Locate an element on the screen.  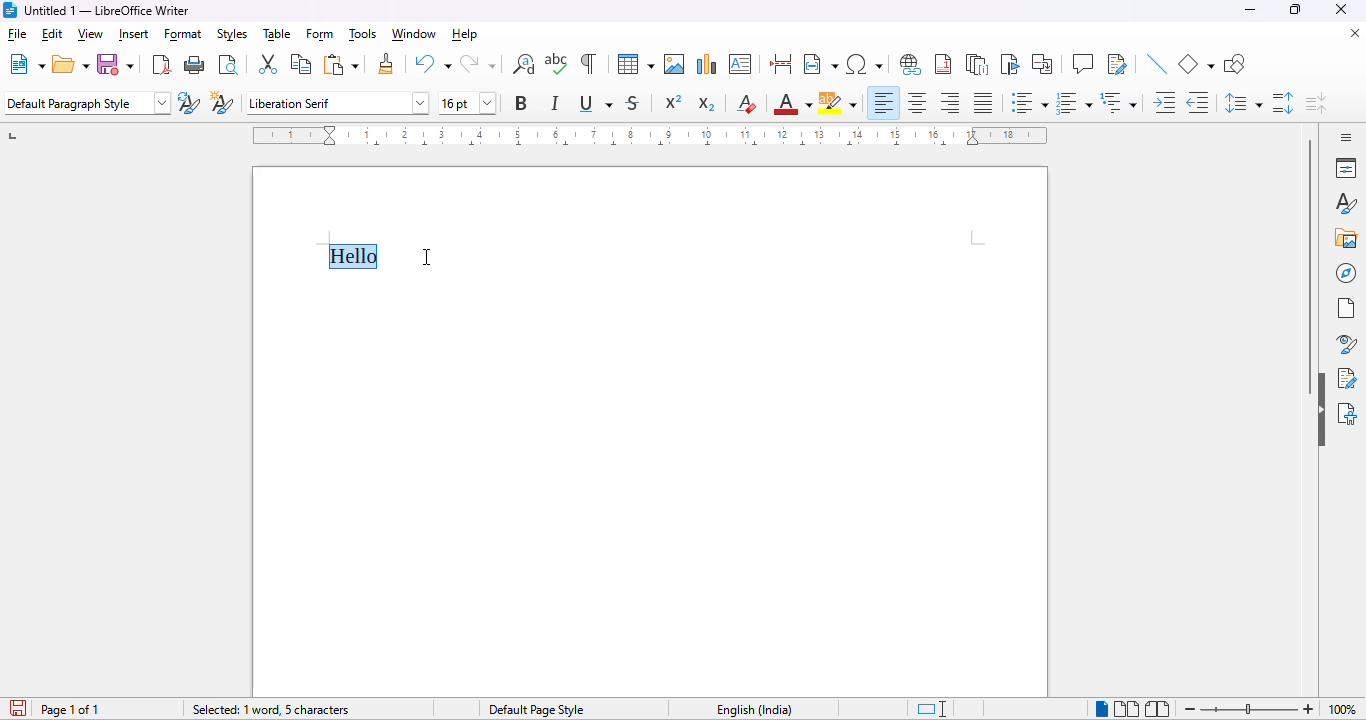
manage changes is located at coordinates (1349, 378).